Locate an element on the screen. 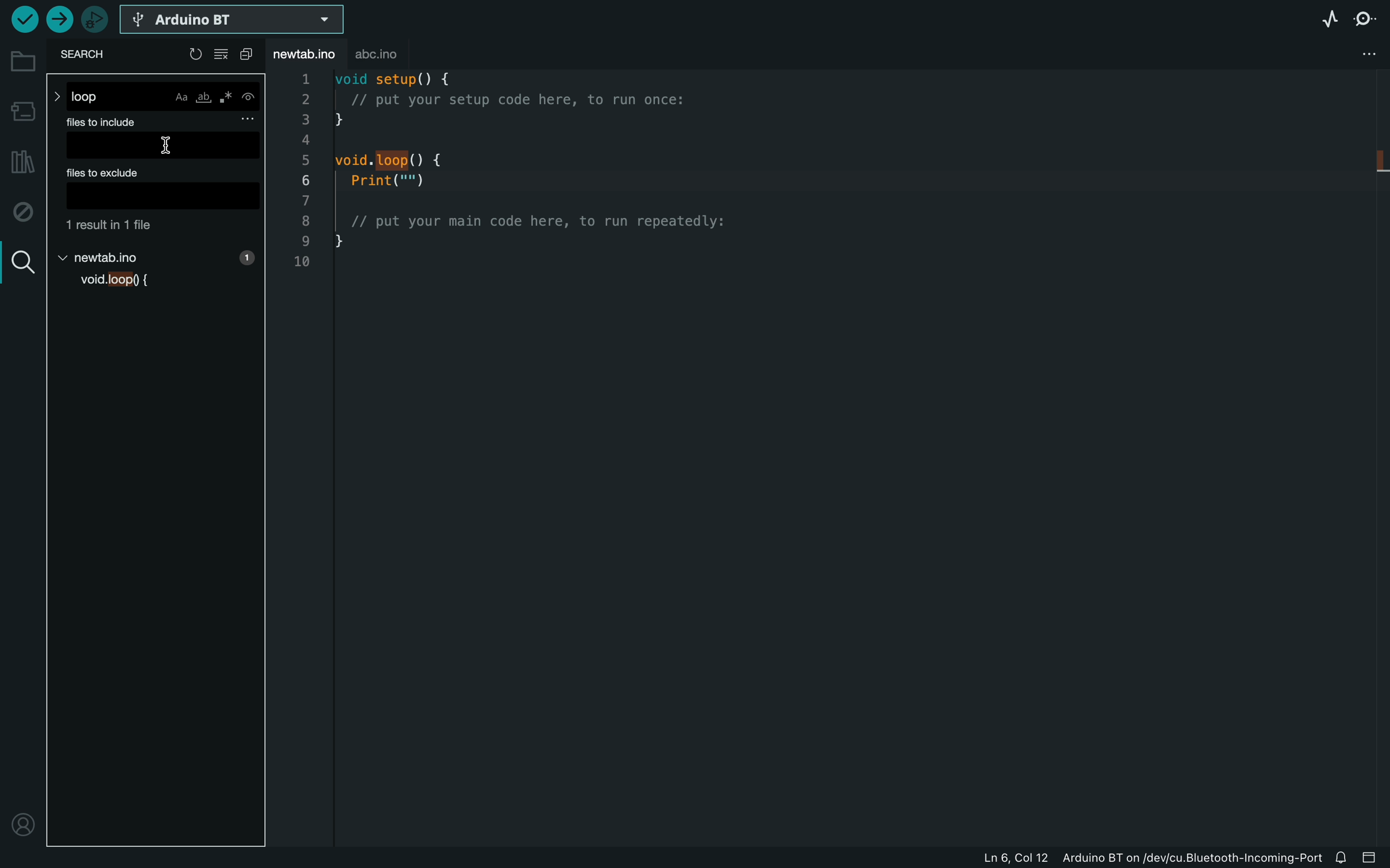 The image size is (1390, 868). cursor is located at coordinates (164, 147).